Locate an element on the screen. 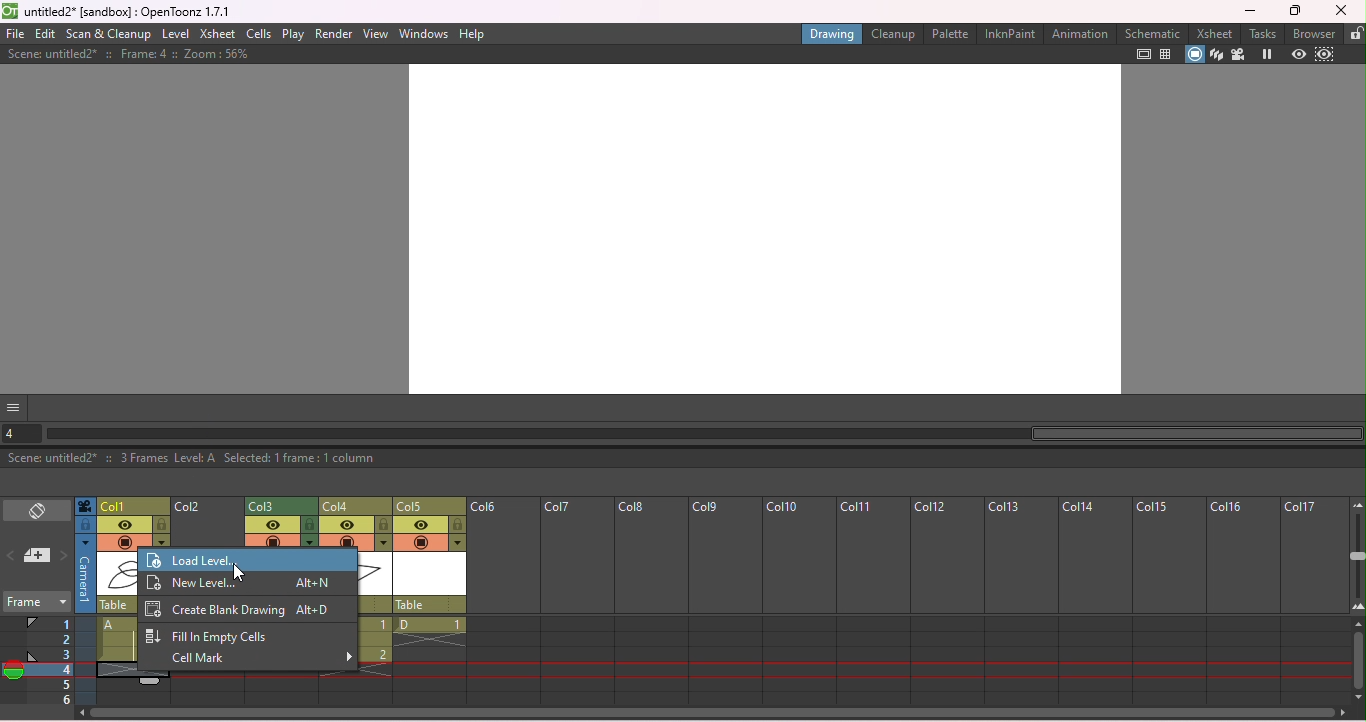 The height and width of the screenshot is (722, 1366). Lock toggle is located at coordinates (458, 525).